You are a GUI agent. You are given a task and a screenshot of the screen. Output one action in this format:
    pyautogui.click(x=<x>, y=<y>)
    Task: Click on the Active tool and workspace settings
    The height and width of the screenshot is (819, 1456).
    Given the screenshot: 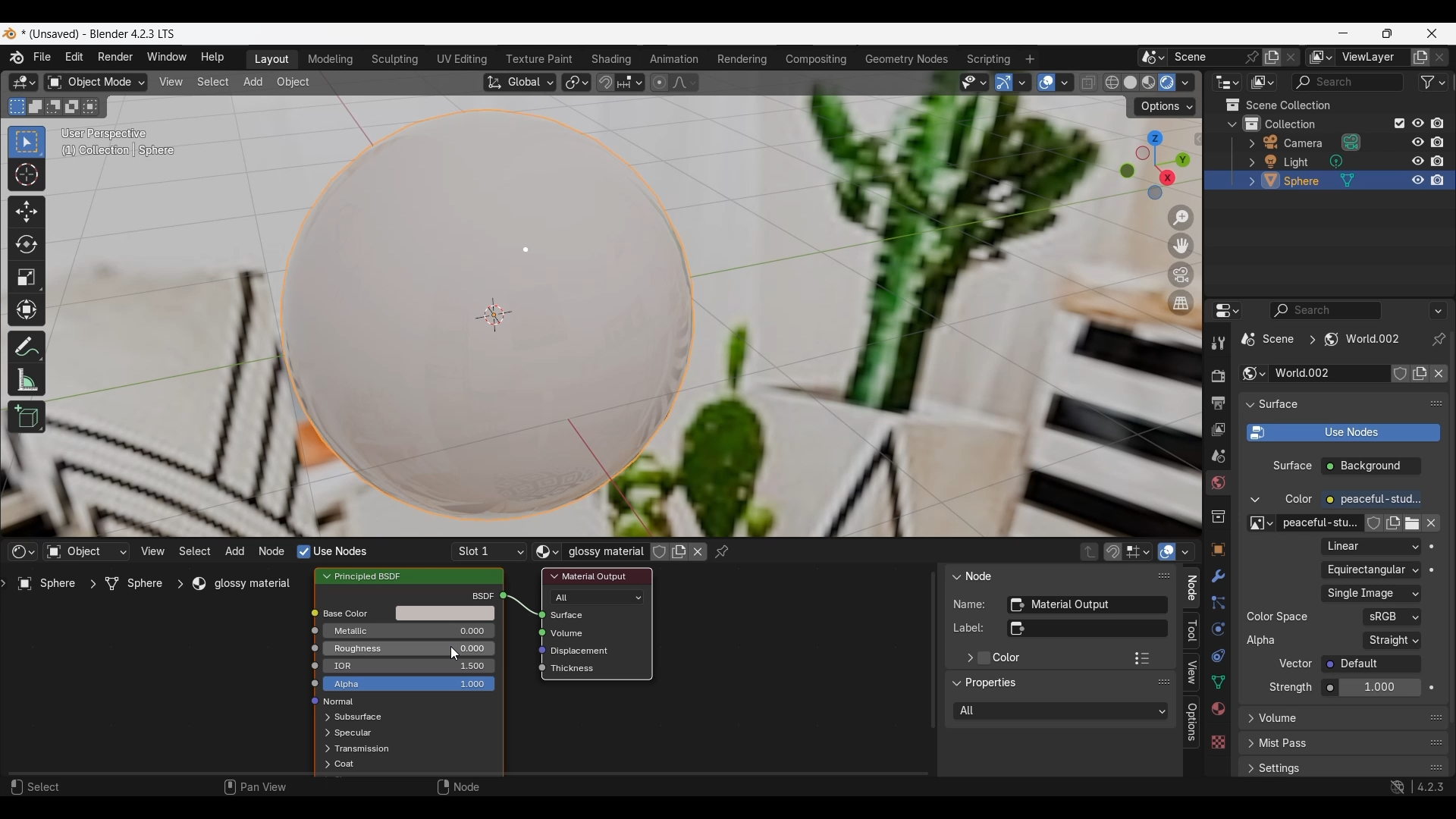 What is the action you would take?
    pyautogui.click(x=1216, y=343)
    